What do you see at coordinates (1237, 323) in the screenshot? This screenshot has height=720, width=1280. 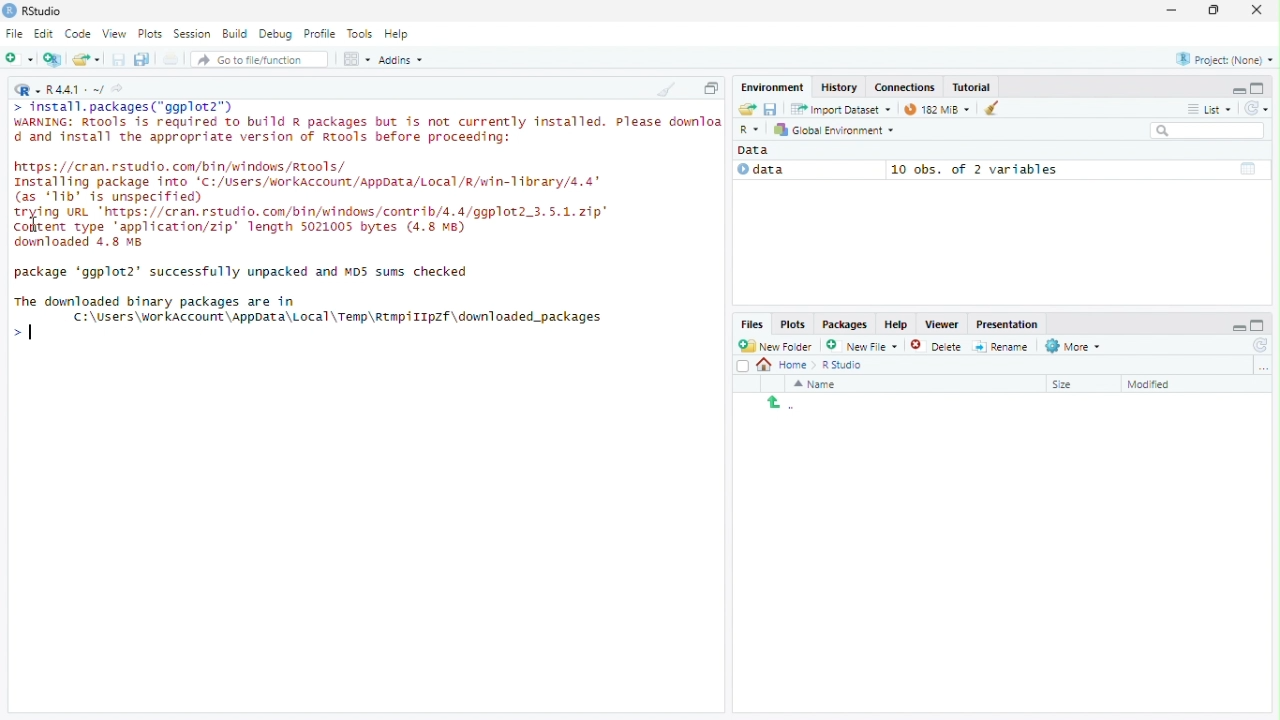 I see `minimize` at bounding box center [1237, 323].